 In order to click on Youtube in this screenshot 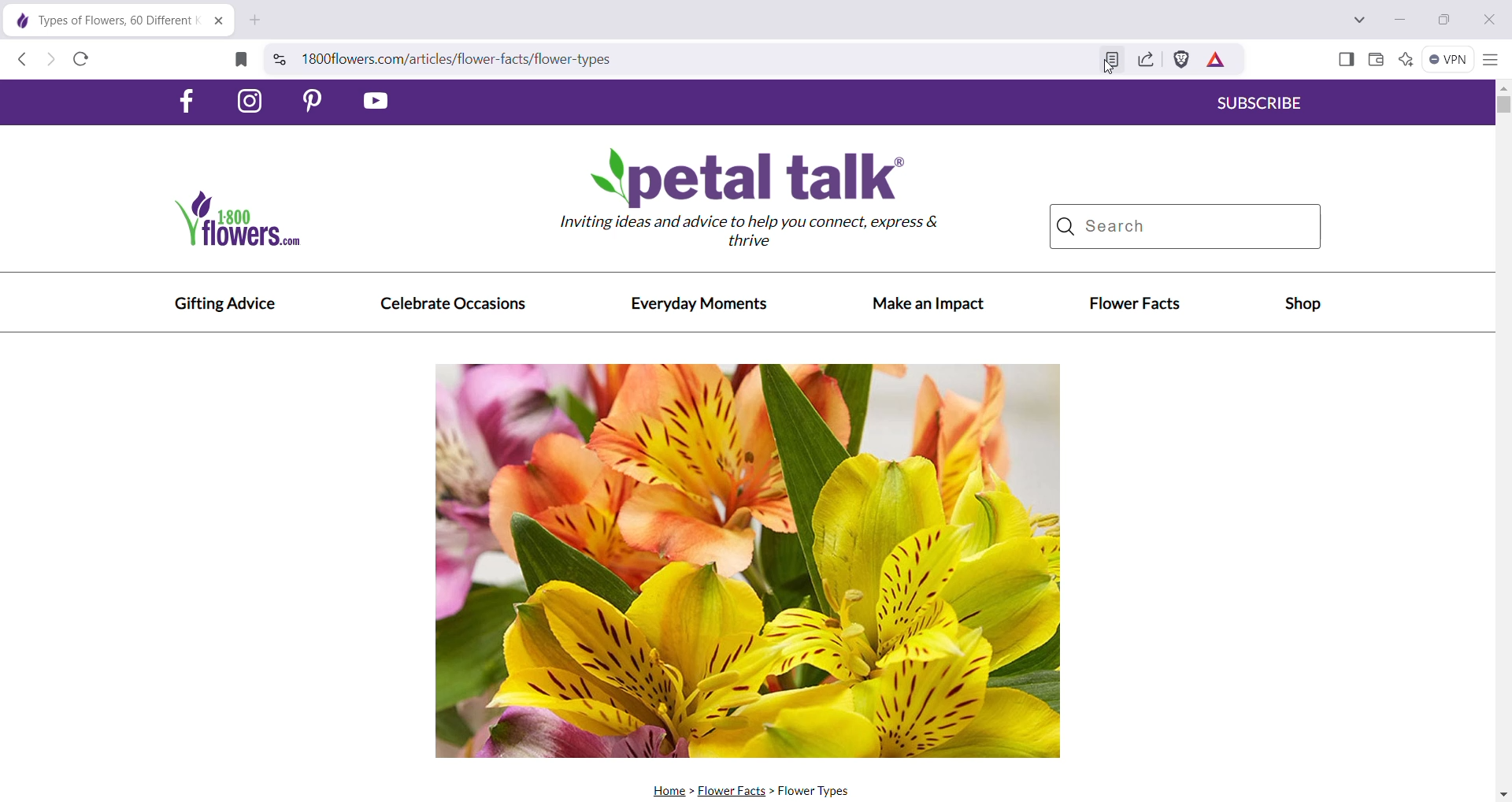, I will do `click(377, 101)`.